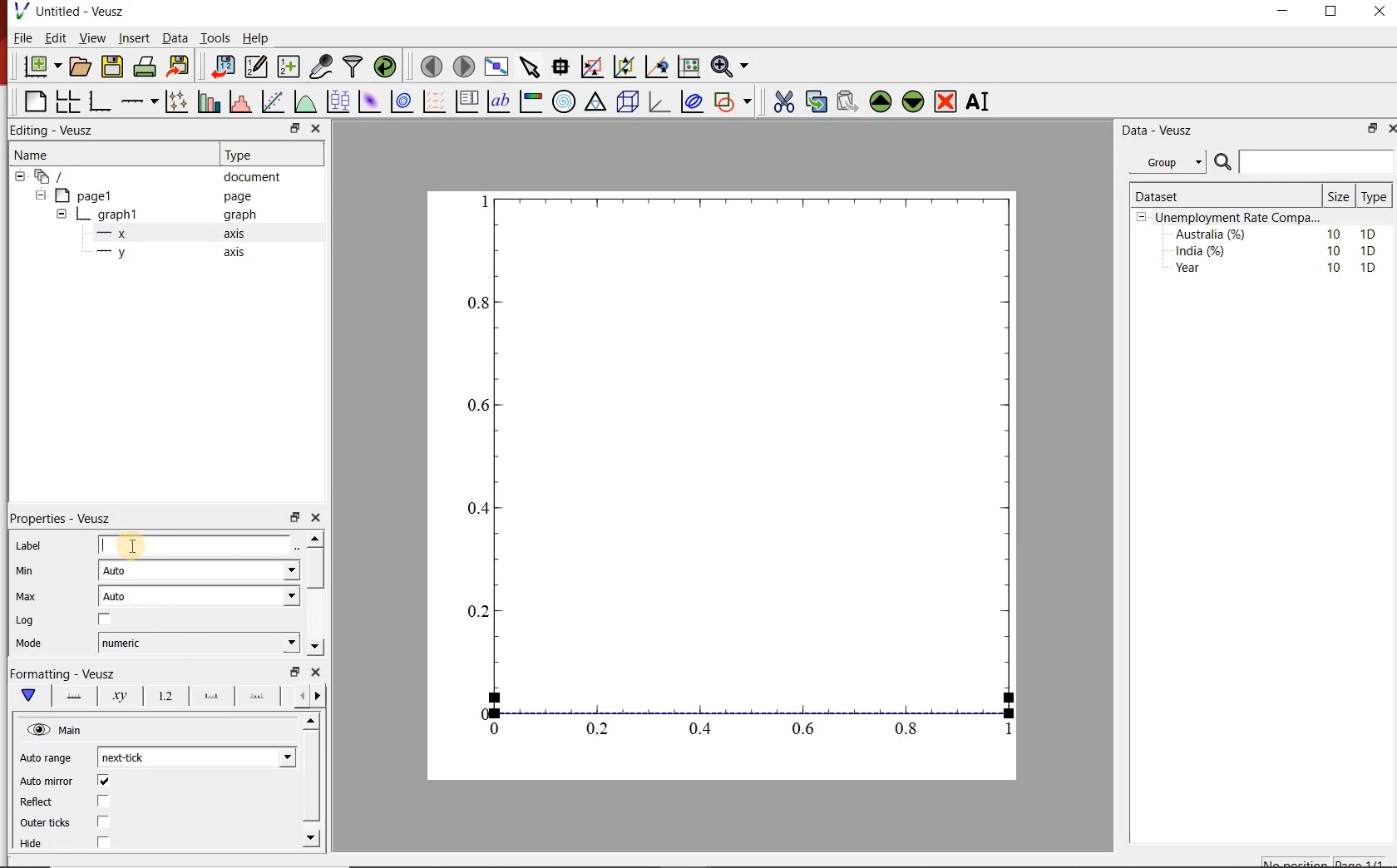 Image resolution: width=1397 pixels, height=868 pixels. What do you see at coordinates (317, 518) in the screenshot?
I see `close` at bounding box center [317, 518].